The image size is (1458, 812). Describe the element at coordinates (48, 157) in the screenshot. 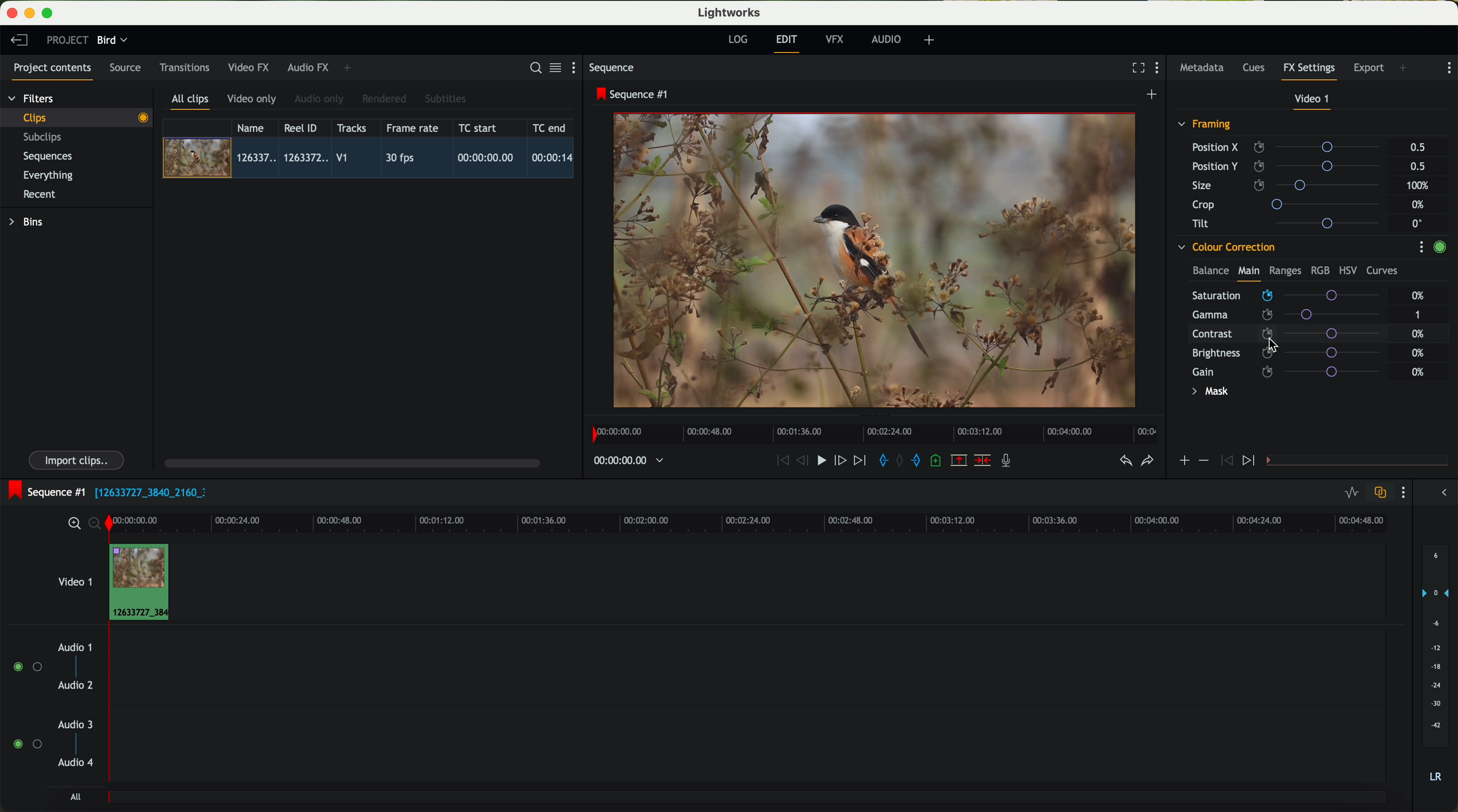

I see `sequences` at that location.